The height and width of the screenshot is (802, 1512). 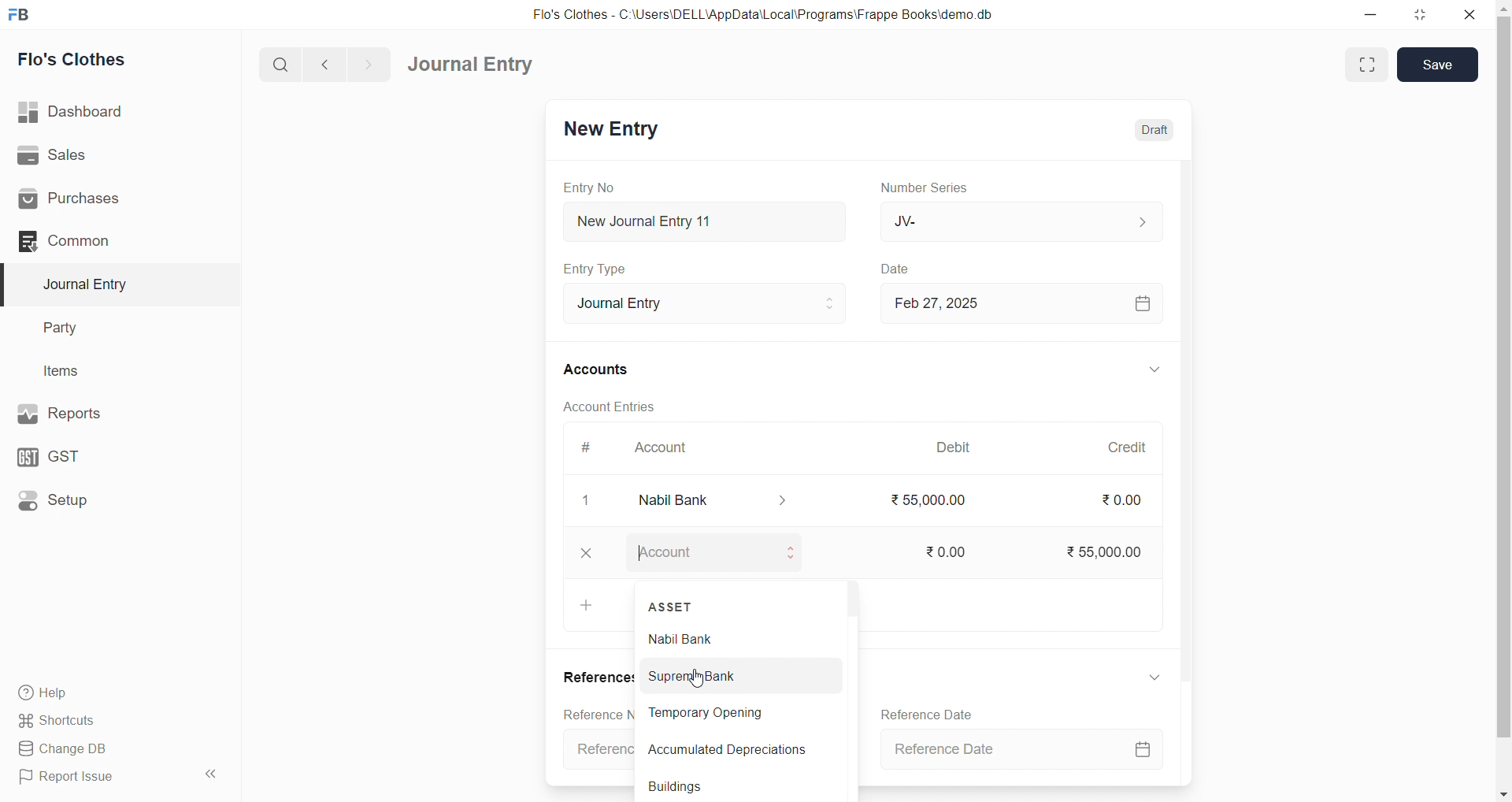 What do you see at coordinates (732, 748) in the screenshot?
I see `Accumulated Depreciations` at bounding box center [732, 748].